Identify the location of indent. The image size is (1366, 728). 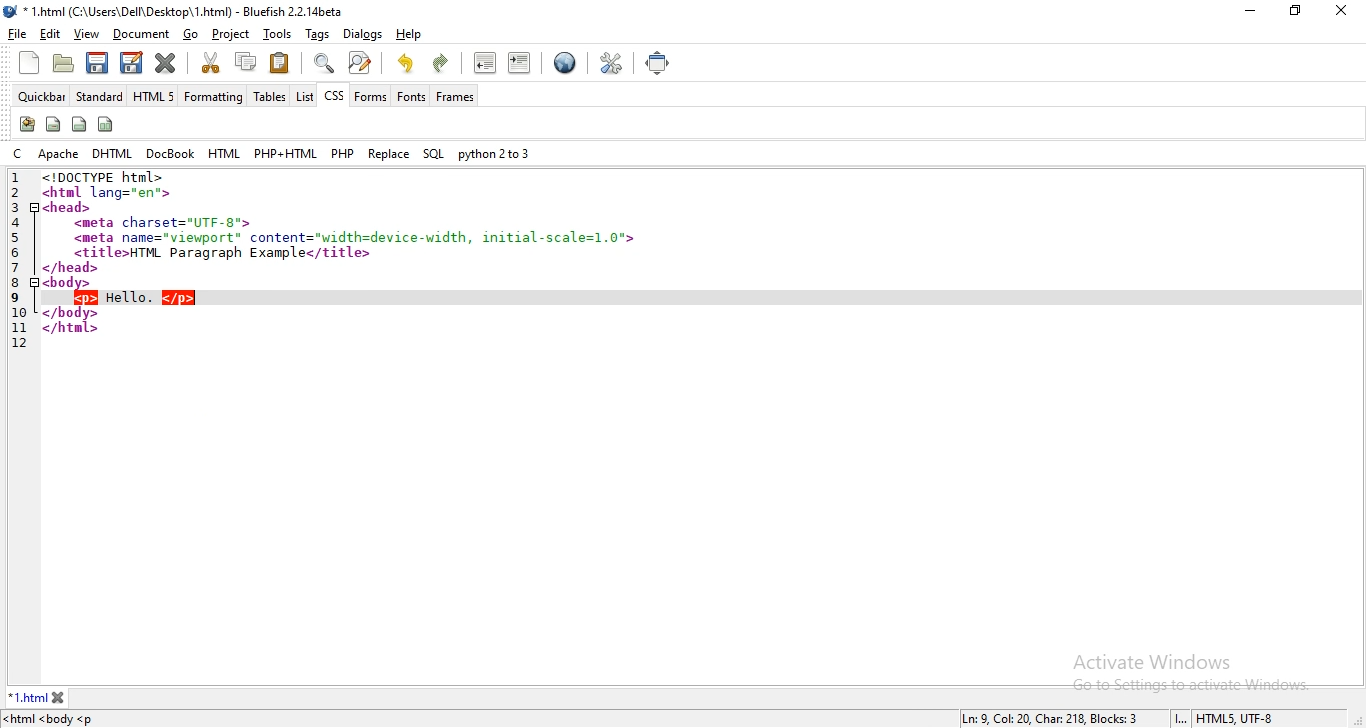
(522, 64).